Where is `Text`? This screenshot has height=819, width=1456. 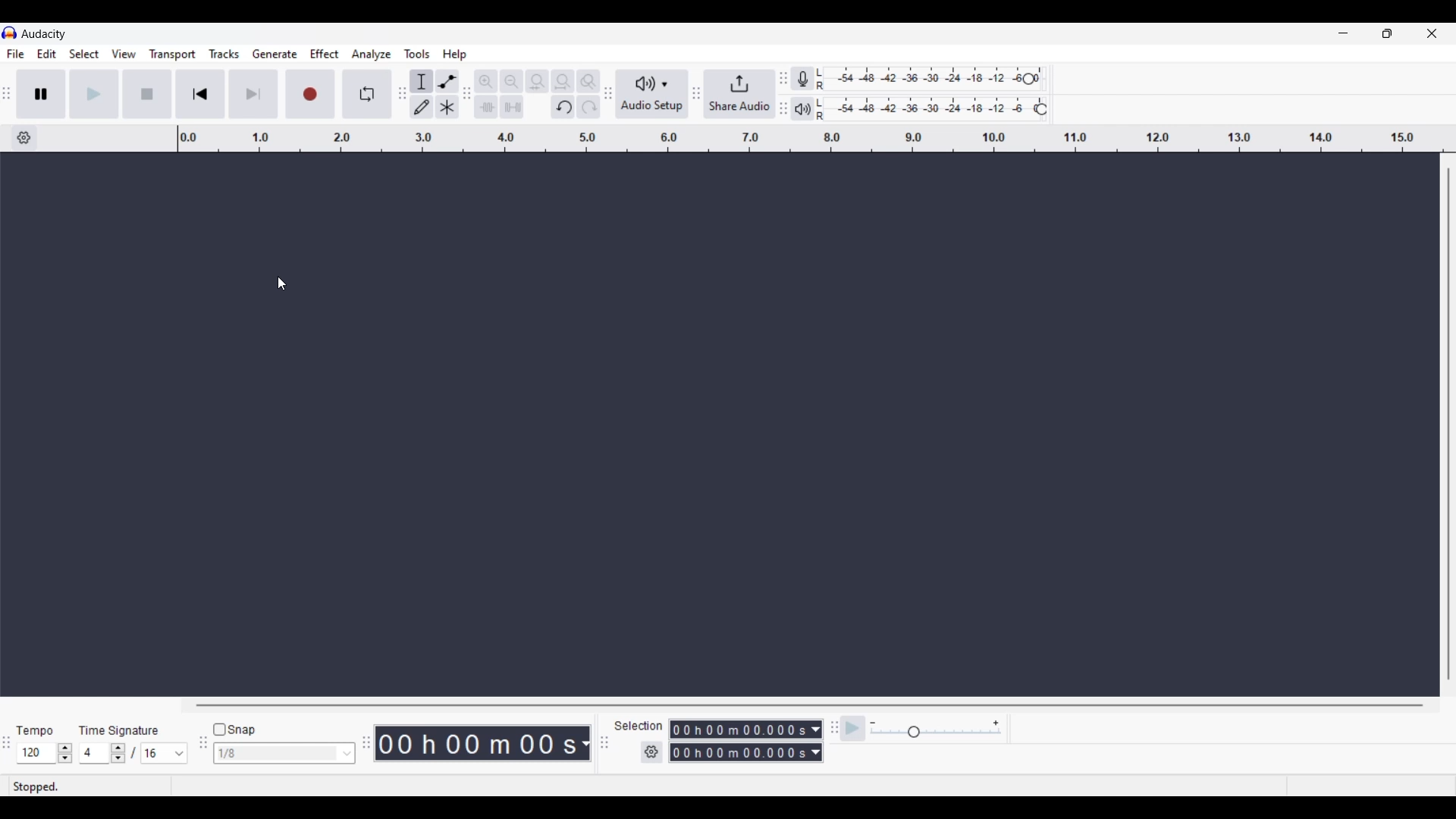 Text is located at coordinates (638, 725).